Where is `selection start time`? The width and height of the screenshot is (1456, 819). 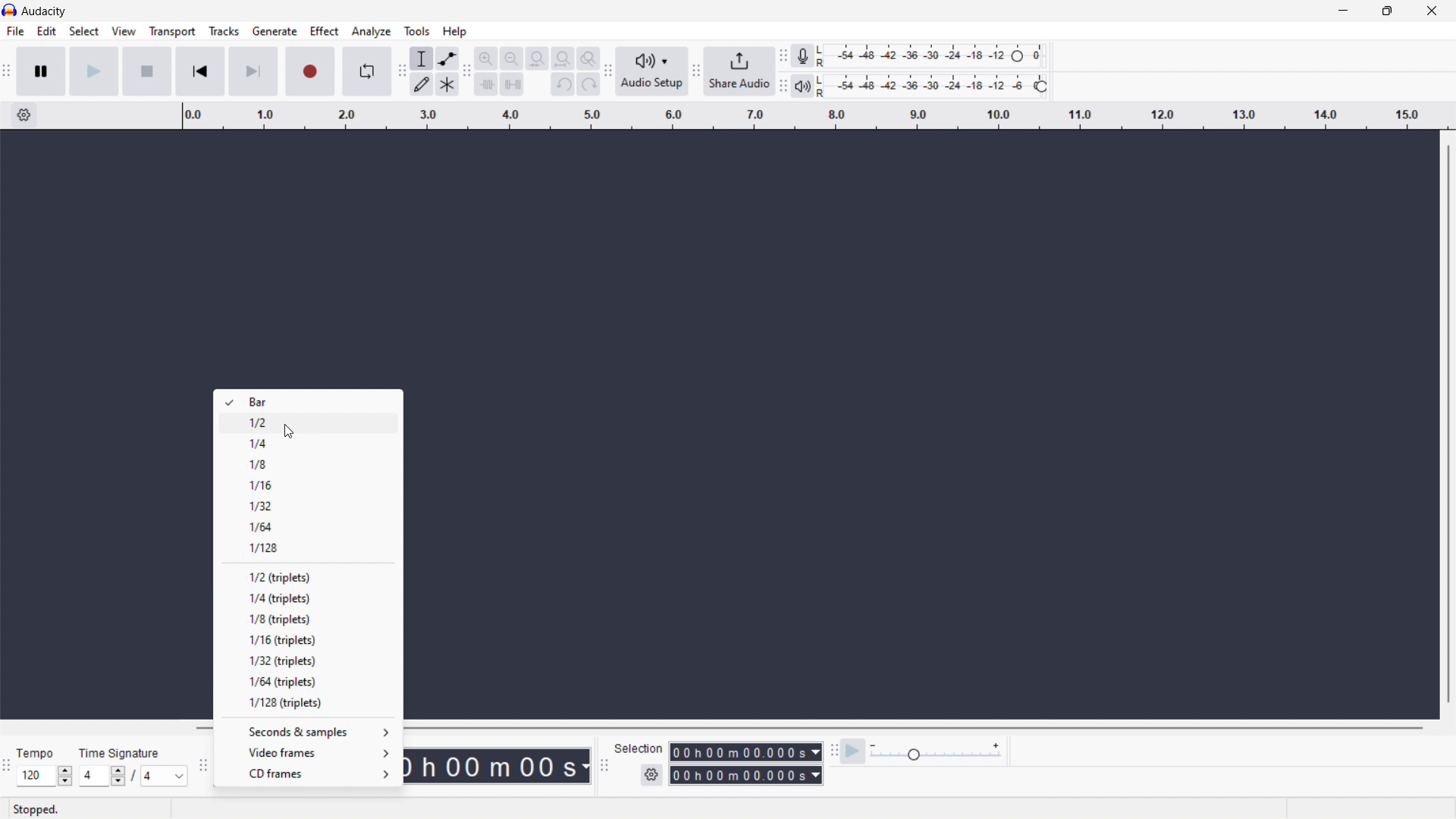
selection start time is located at coordinates (745, 752).